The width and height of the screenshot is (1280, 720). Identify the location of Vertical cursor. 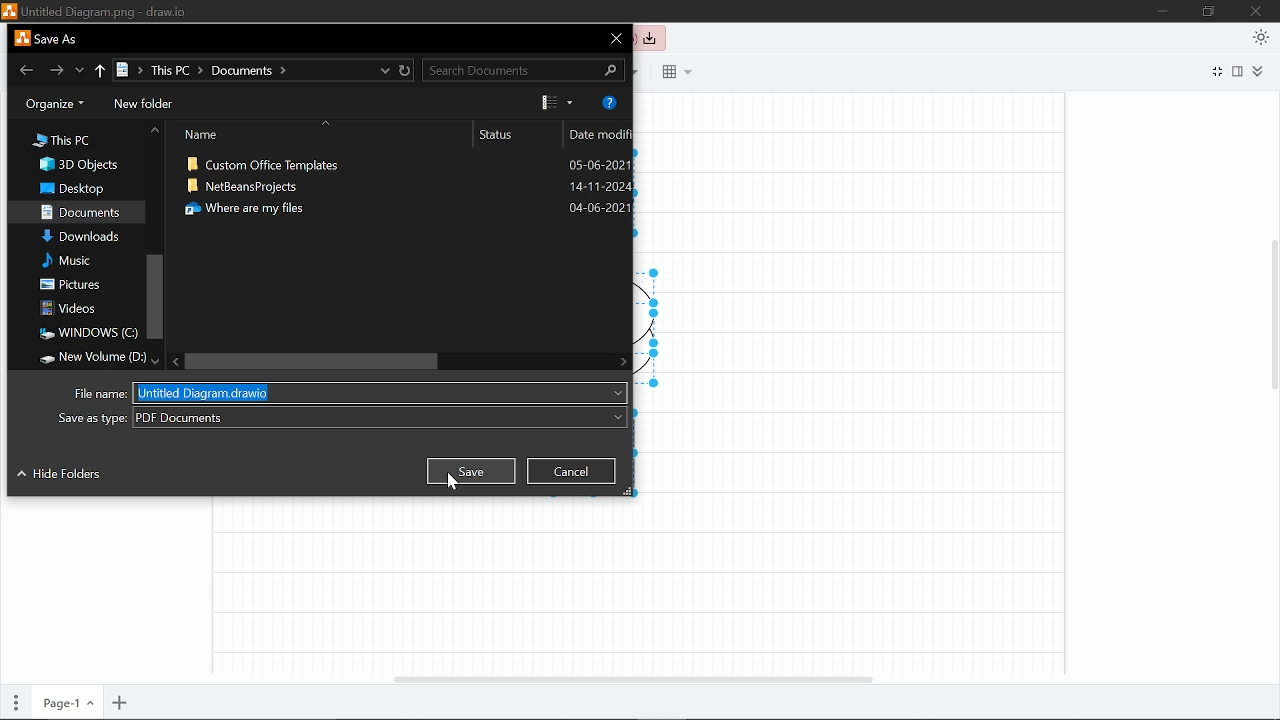
(1272, 316).